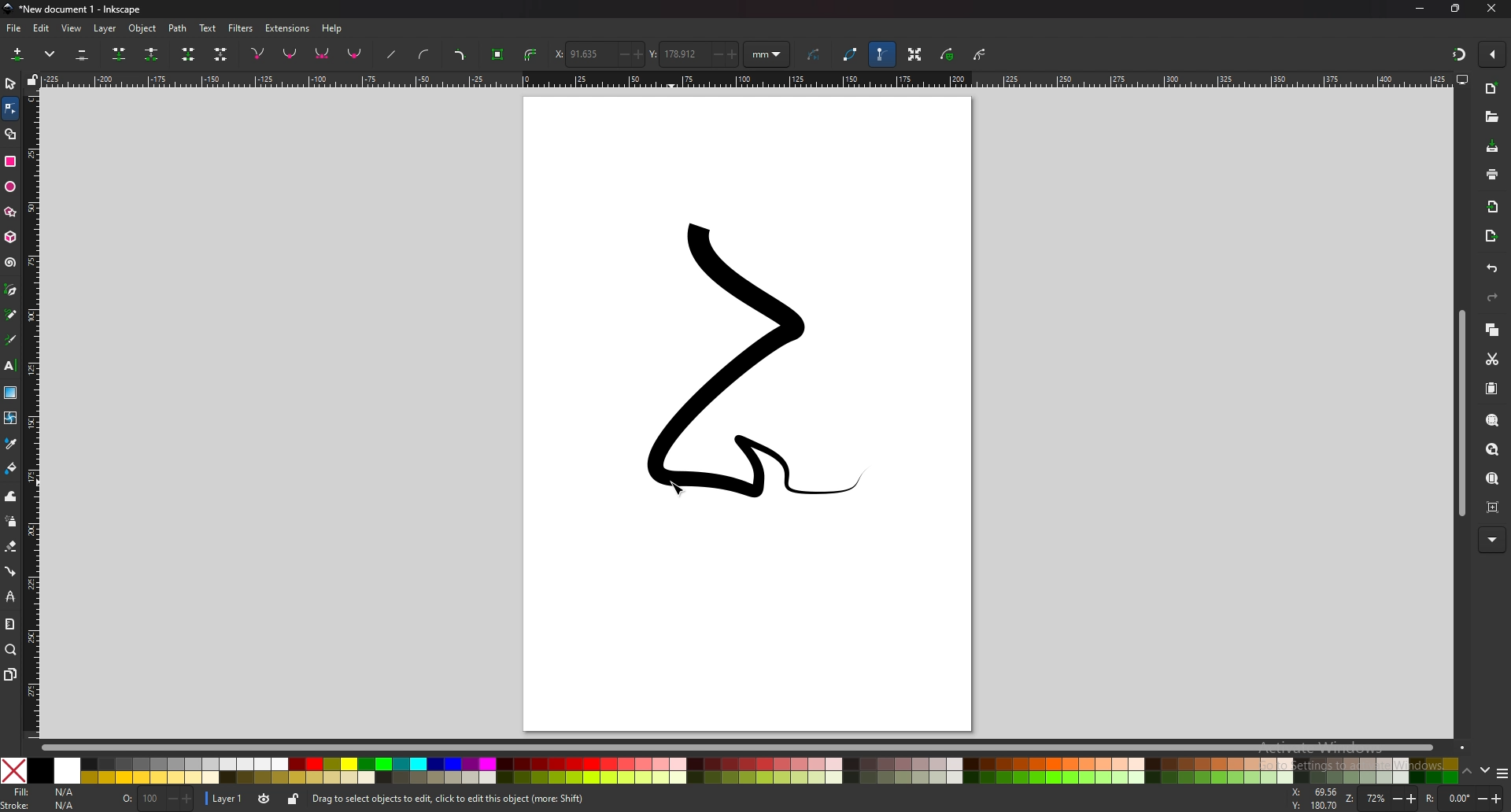 This screenshot has height=812, width=1511. I want to click on redo, so click(1492, 297).